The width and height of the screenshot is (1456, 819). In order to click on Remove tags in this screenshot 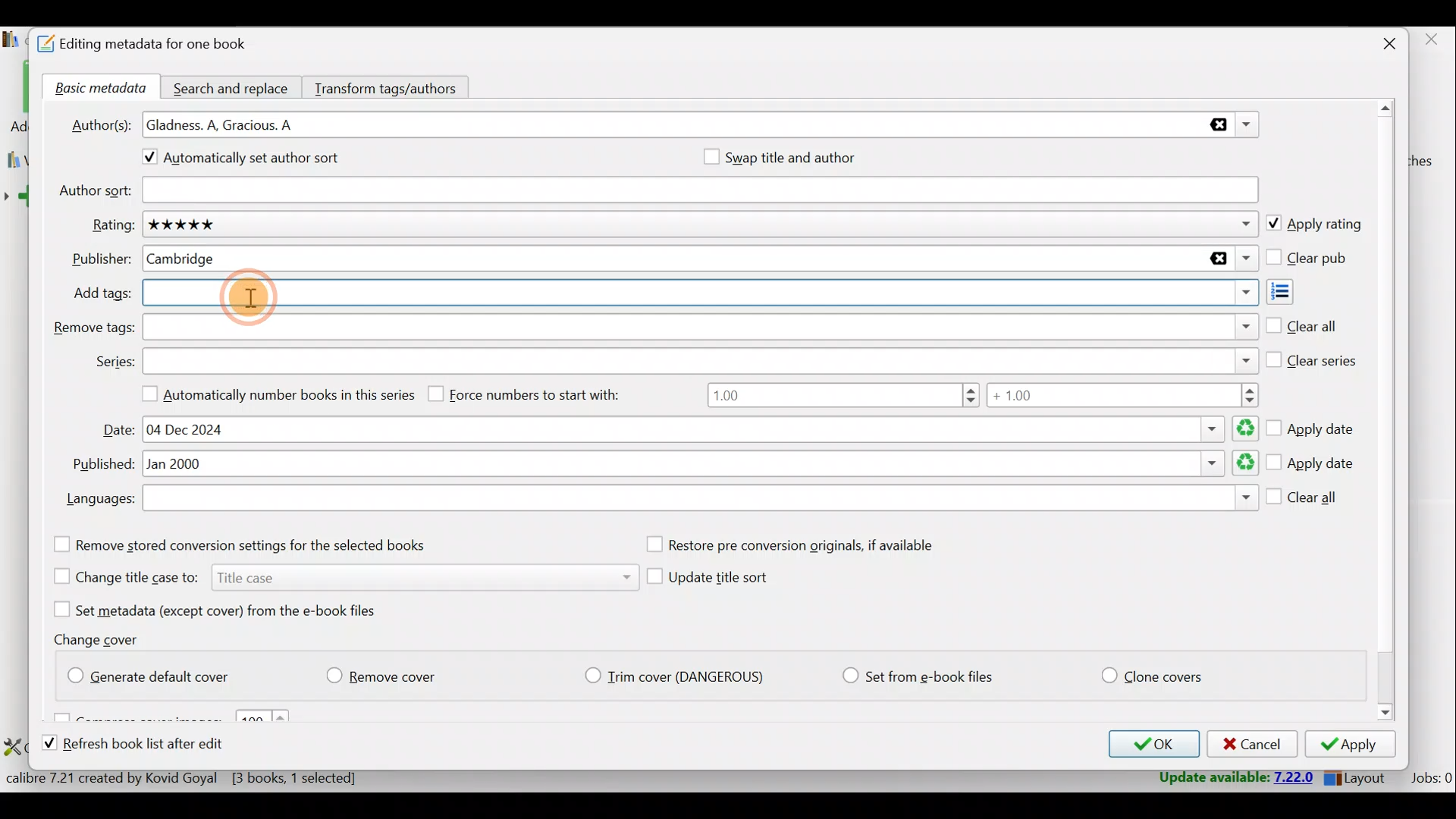, I will do `click(698, 327)`.